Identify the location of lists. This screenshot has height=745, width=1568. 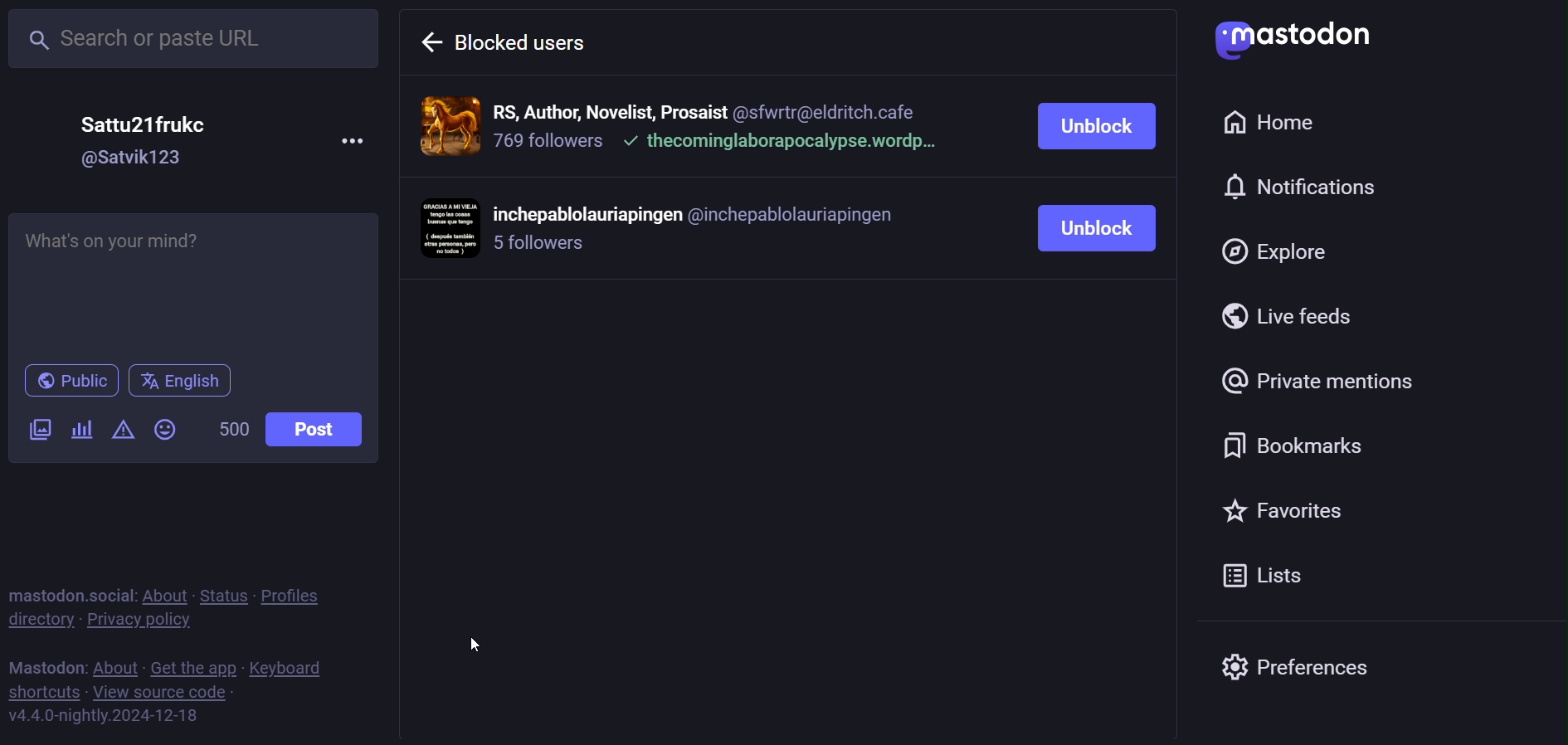
(1282, 573).